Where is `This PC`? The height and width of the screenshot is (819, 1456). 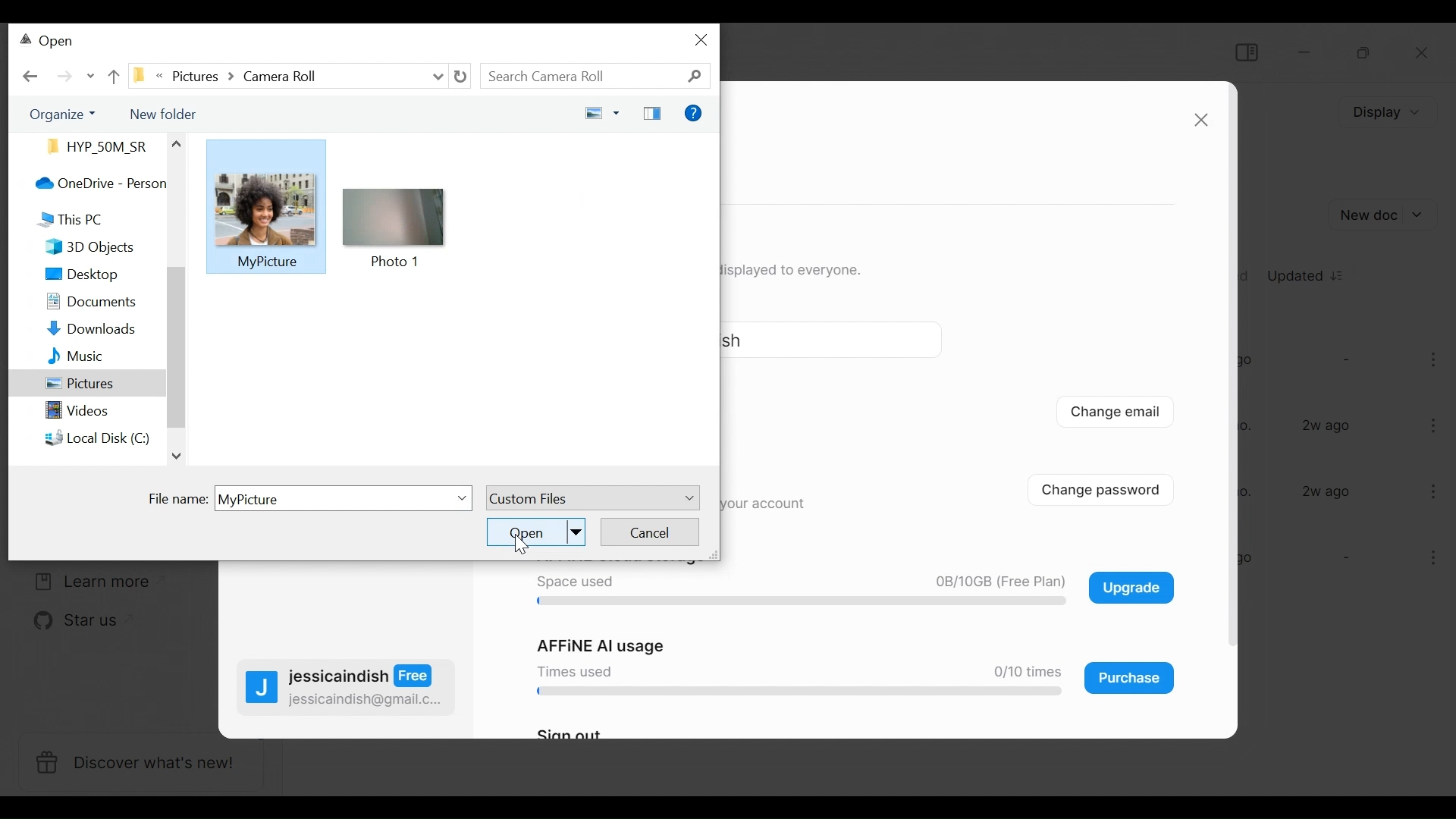
This PC is located at coordinates (69, 218).